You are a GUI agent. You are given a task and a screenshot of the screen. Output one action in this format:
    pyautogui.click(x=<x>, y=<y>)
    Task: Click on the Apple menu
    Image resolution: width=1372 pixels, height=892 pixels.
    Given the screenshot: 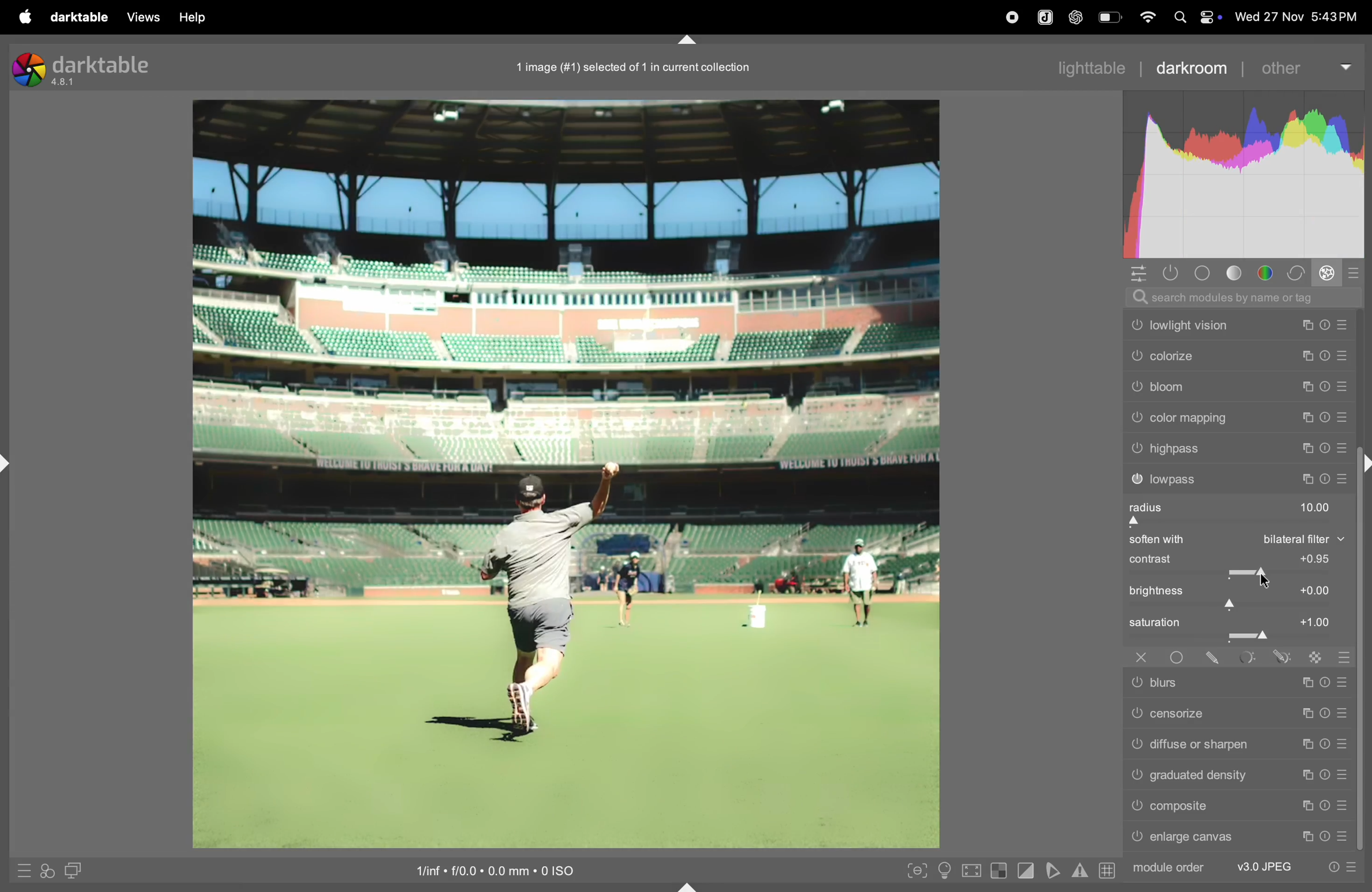 What is the action you would take?
    pyautogui.click(x=24, y=17)
    